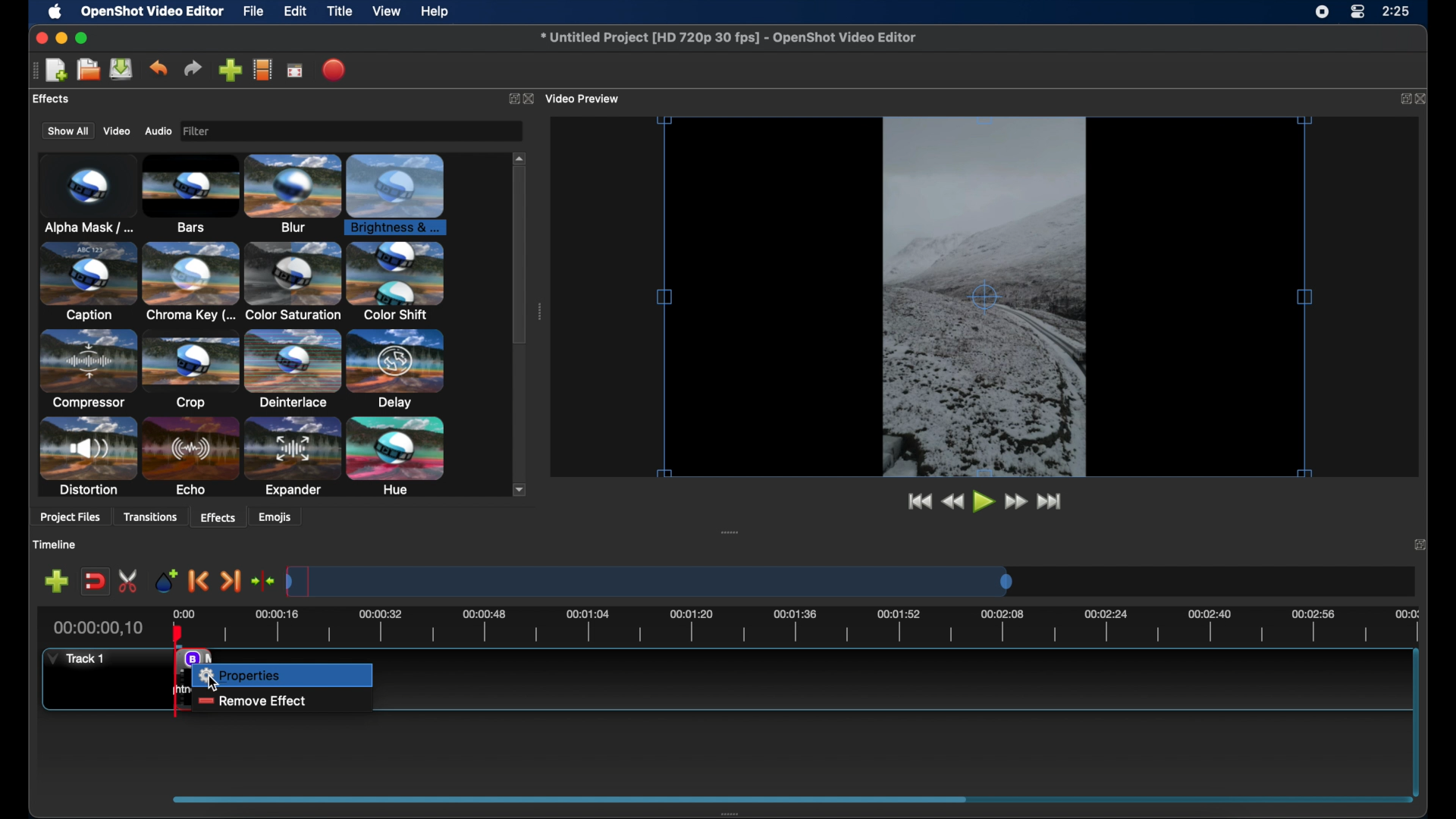 This screenshot has width=1456, height=819. I want to click on audio, so click(159, 131).